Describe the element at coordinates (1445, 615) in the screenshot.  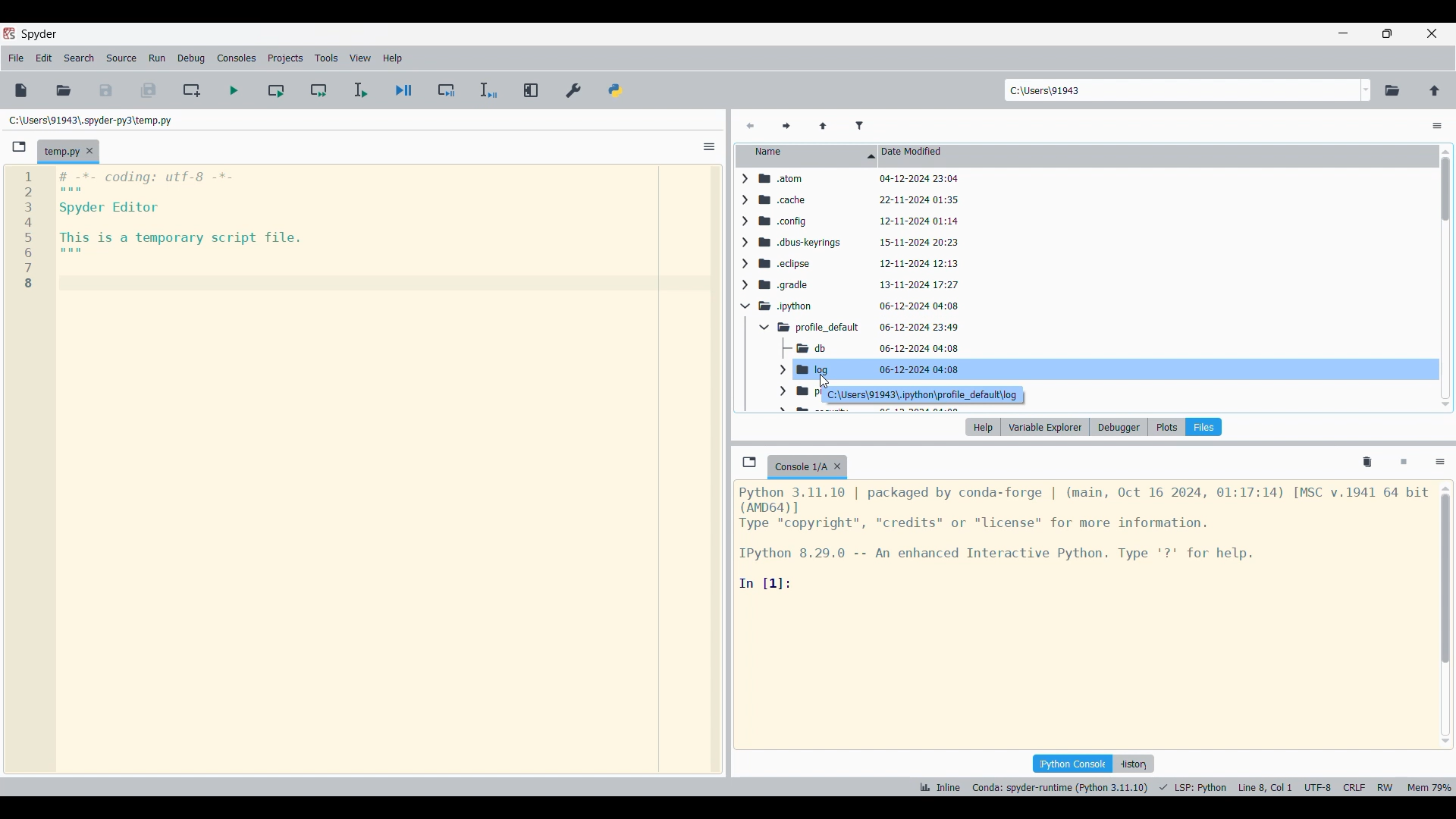
I see `Vertical slide bar` at that location.